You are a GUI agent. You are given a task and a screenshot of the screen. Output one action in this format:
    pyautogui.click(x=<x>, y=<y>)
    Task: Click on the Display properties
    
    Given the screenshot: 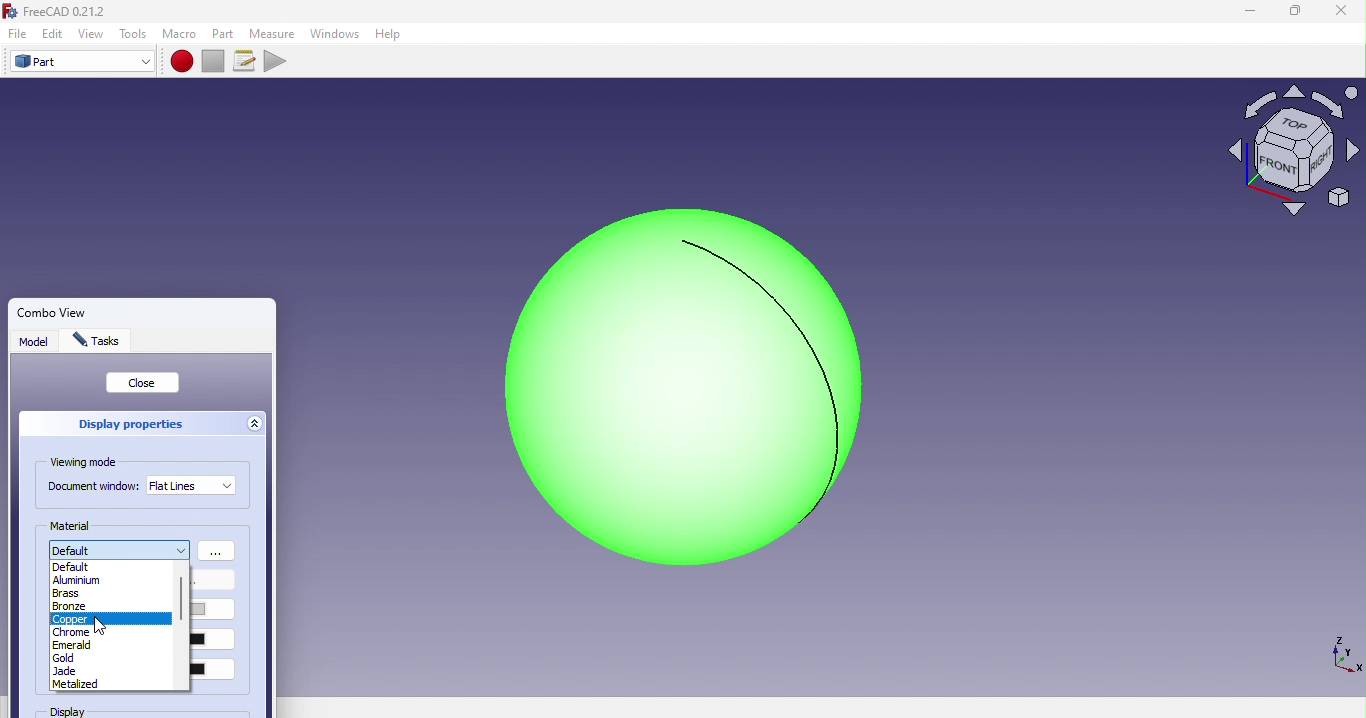 What is the action you would take?
    pyautogui.click(x=128, y=424)
    